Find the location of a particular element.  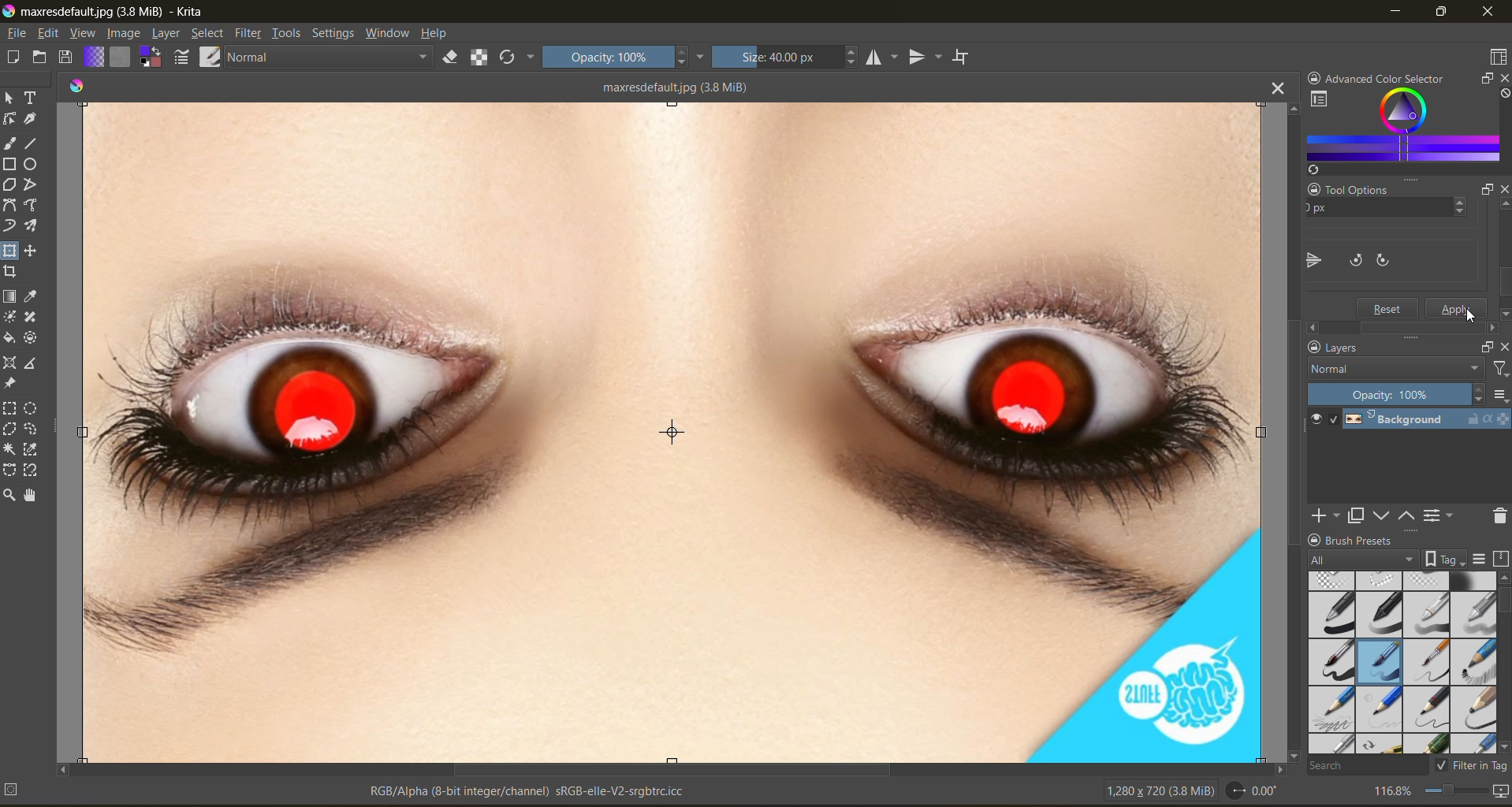

swap foreground background color is located at coordinates (151, 57).